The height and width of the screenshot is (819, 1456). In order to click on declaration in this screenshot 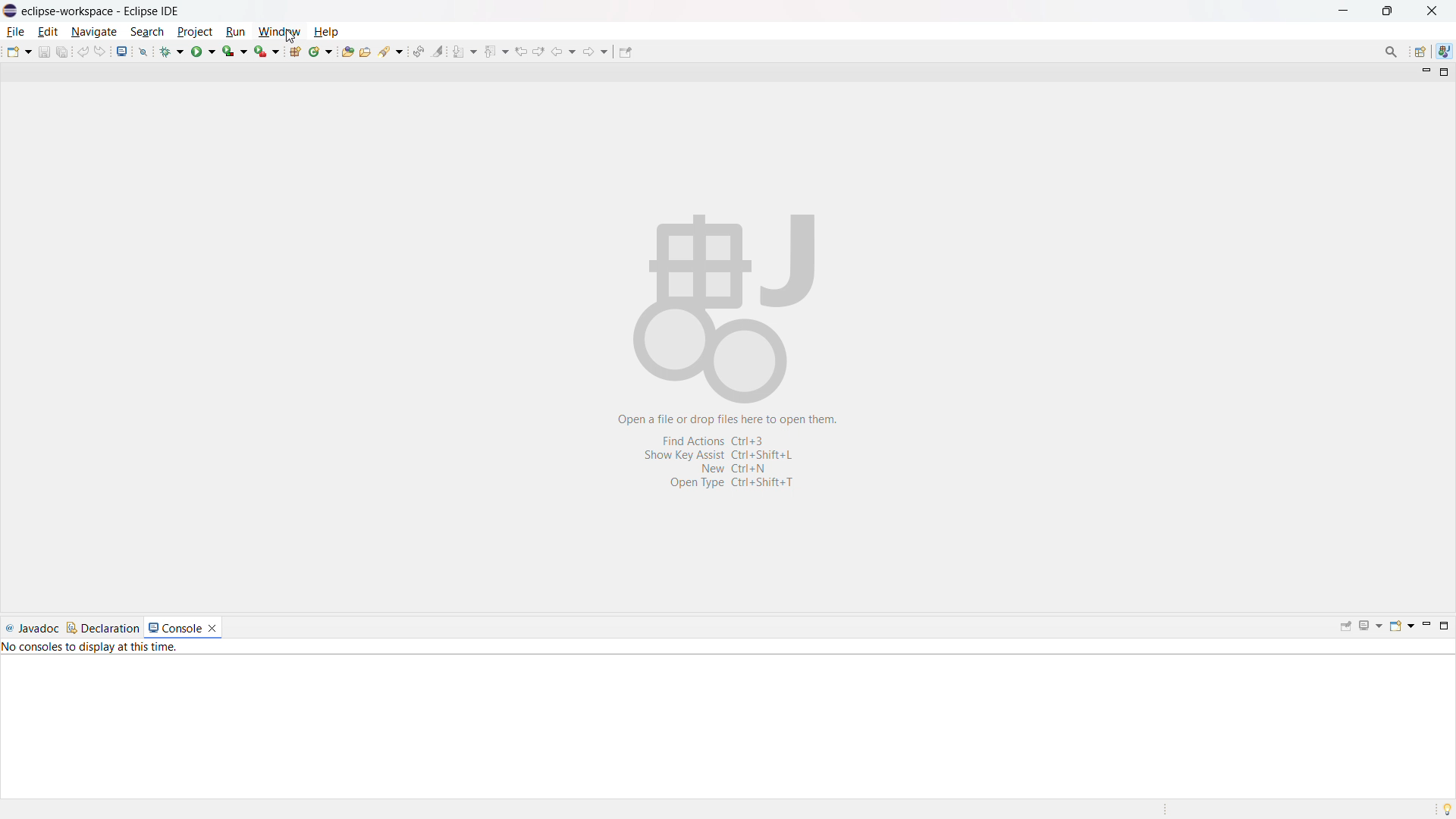, I will do `click(102, 629)`.